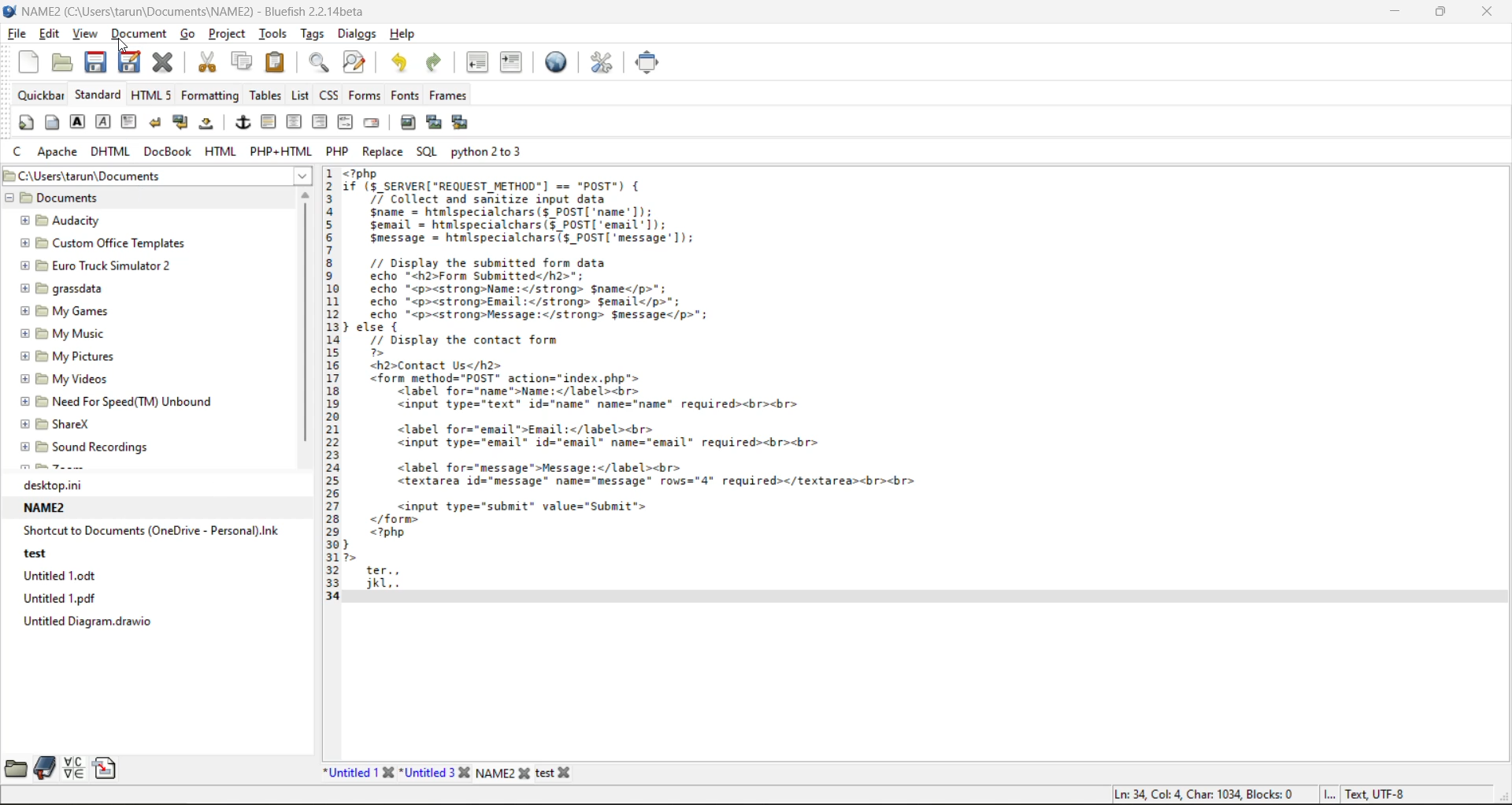  Describe the element at coordinates (556, 60) in the screenshot. I see `preview in browser` at that location.